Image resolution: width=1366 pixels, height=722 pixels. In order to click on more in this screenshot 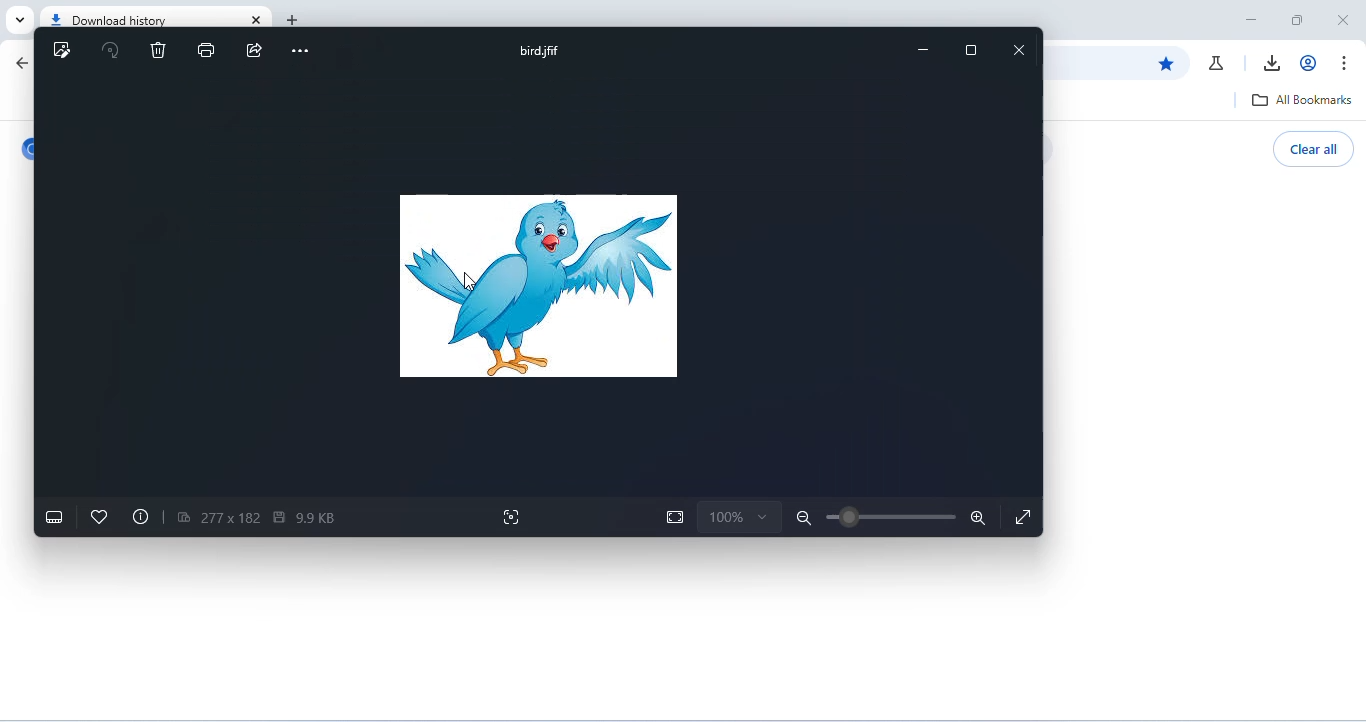, I will do `click(303, 52)`.